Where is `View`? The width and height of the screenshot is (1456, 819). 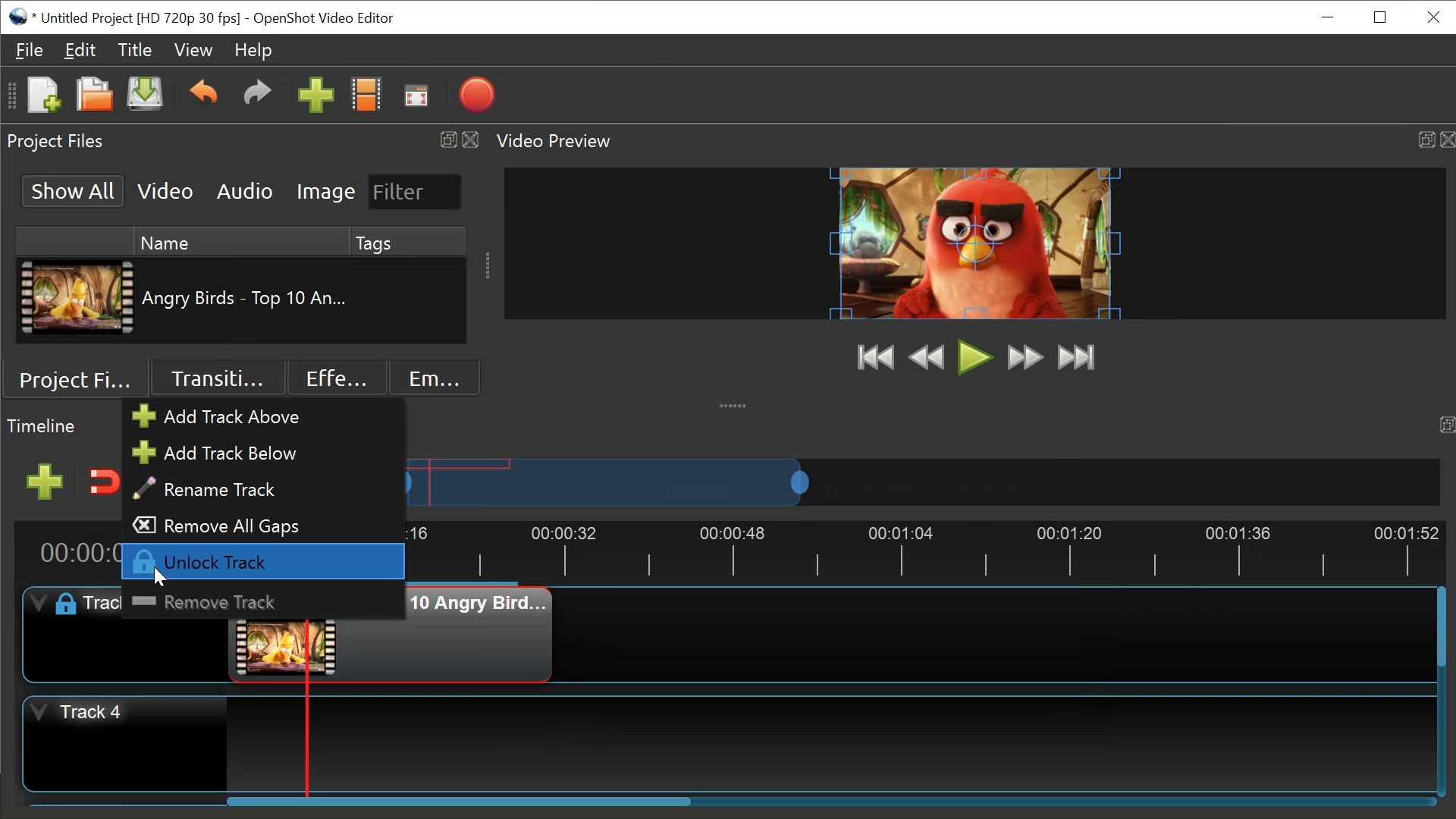 View is located at coordinates (193, 50).